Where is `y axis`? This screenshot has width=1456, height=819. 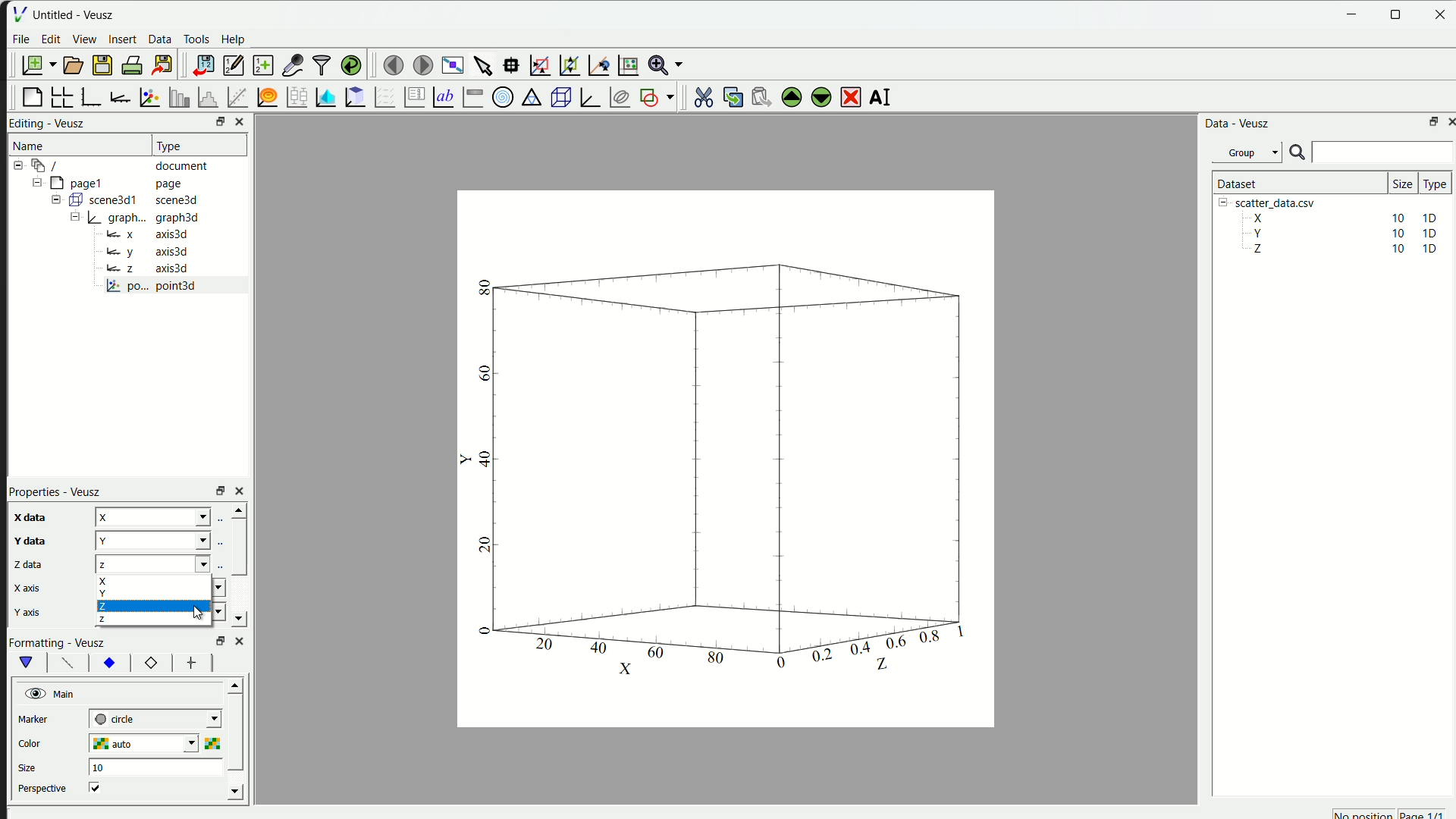
y axis is located at coordinates (27, 609).